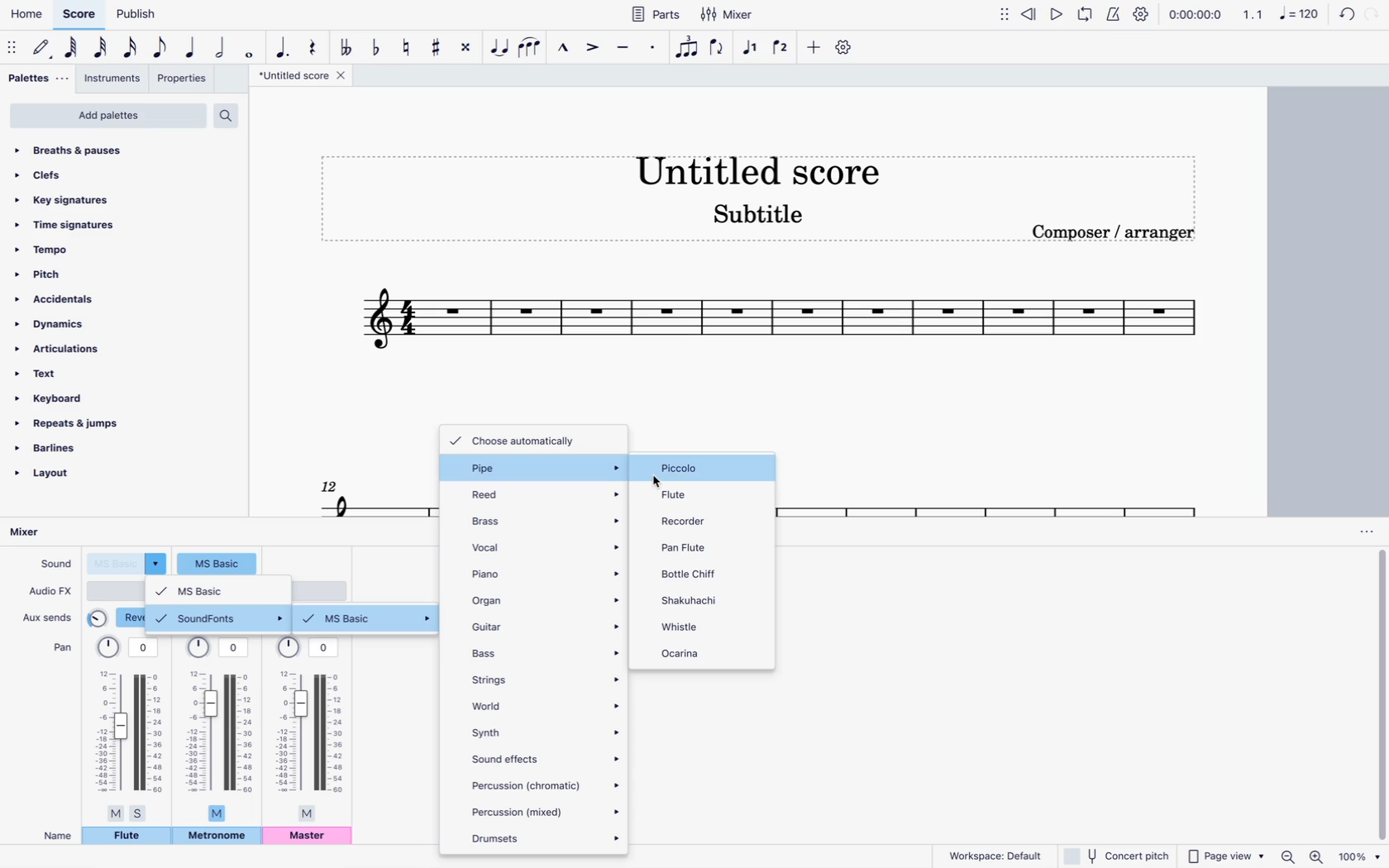 This screenshot has width=1389, height=868. I want to click on parts, so click(655, 13).